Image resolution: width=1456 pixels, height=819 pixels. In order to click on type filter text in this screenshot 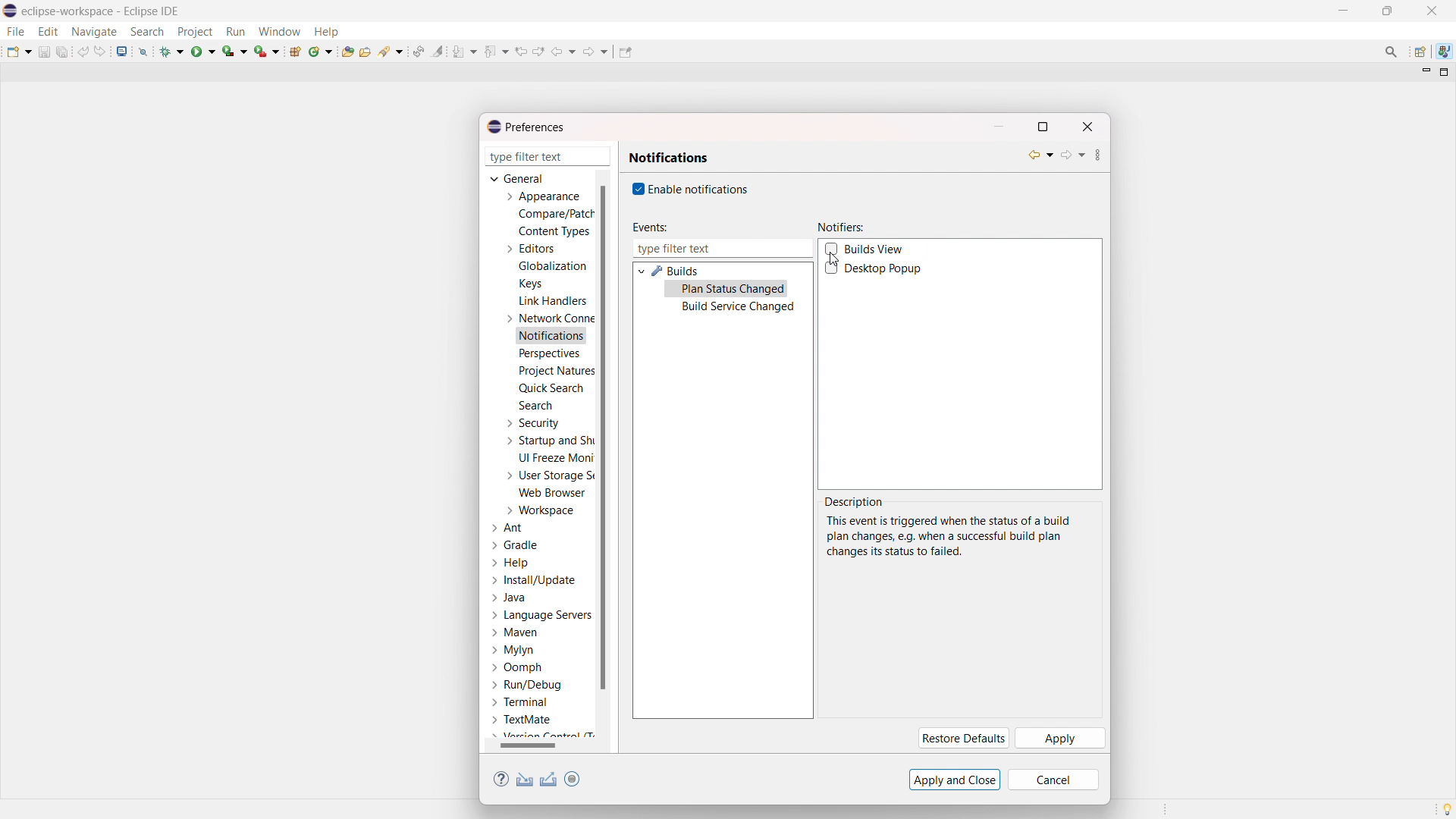, I will do `click(722, 249)`.